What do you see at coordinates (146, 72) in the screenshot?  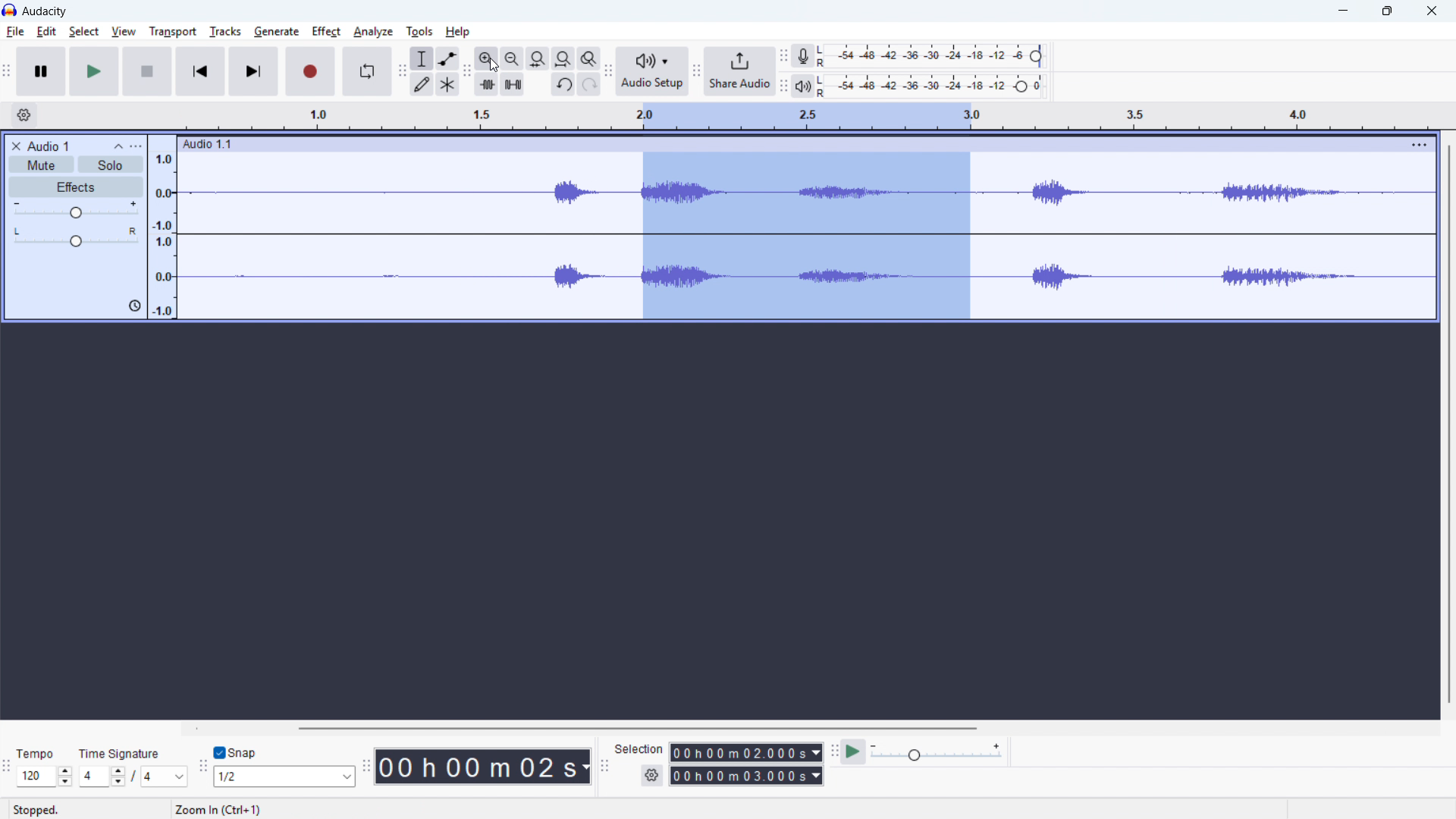 I see `Stop` at bounding box center [146, 72].